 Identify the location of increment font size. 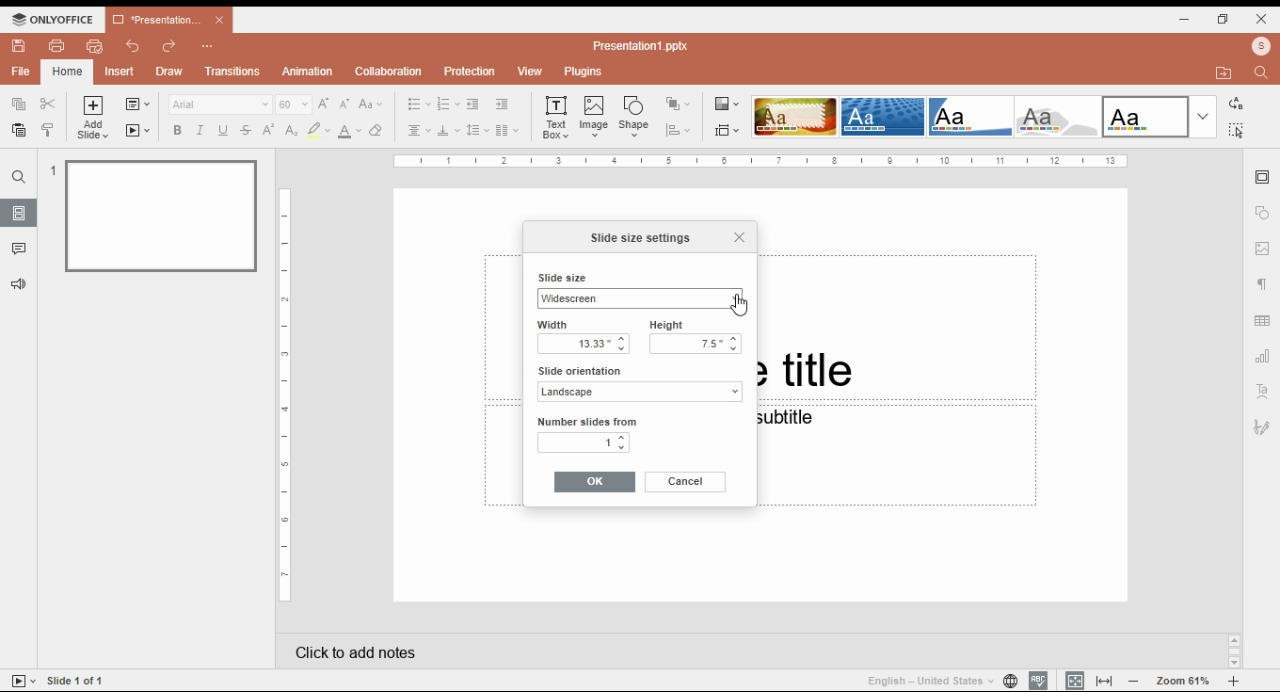
(323, 103).